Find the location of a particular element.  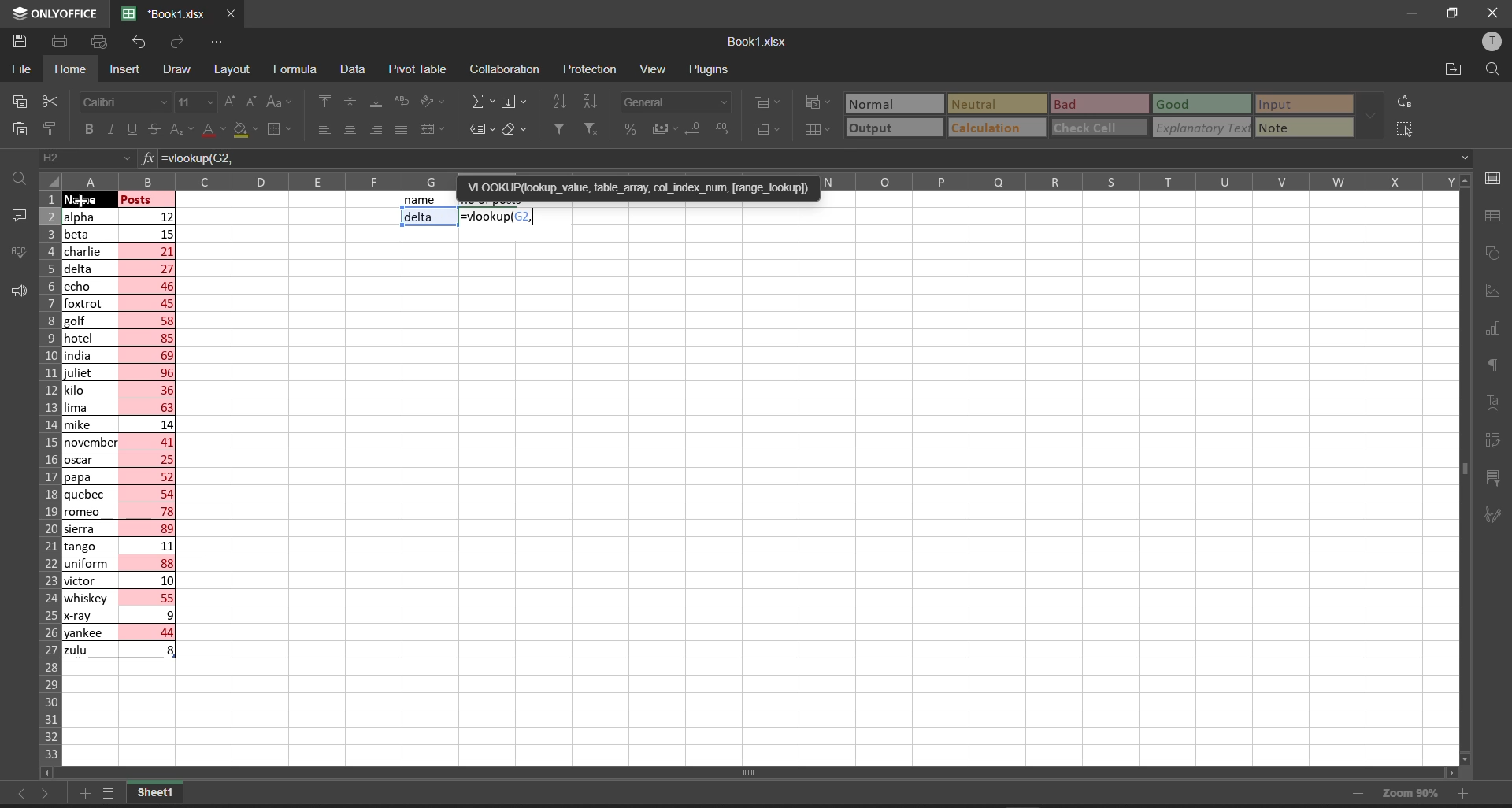

align bottom is located at coordinates (376, 101).